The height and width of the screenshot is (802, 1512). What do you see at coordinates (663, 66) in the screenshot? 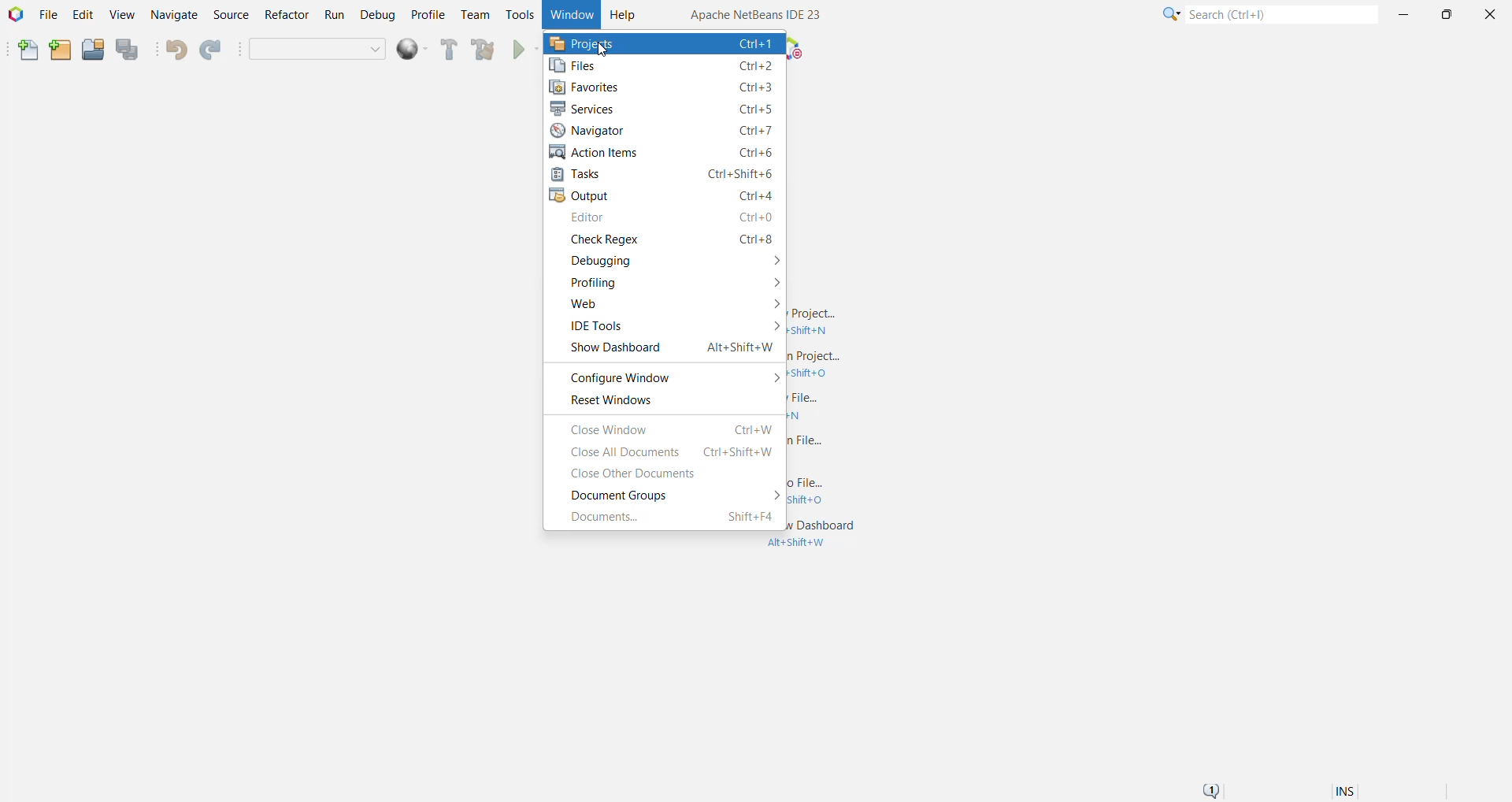
I see `Files` at bounding box center [663, 66].